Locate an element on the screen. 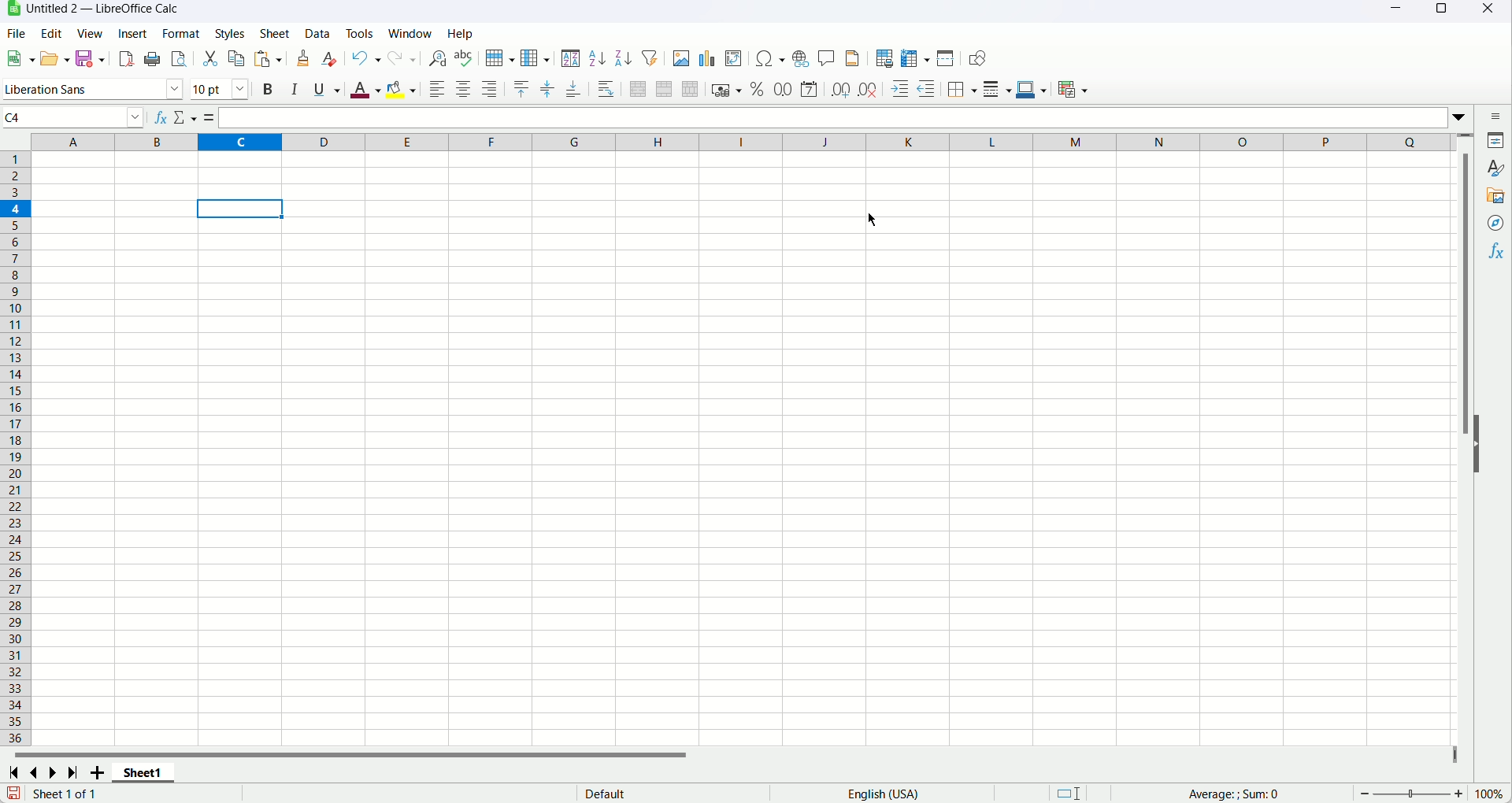 Image resolution: width=1512 pixels, height=803 pixels. Insert hyperlink is located at coordinates (802, 57).